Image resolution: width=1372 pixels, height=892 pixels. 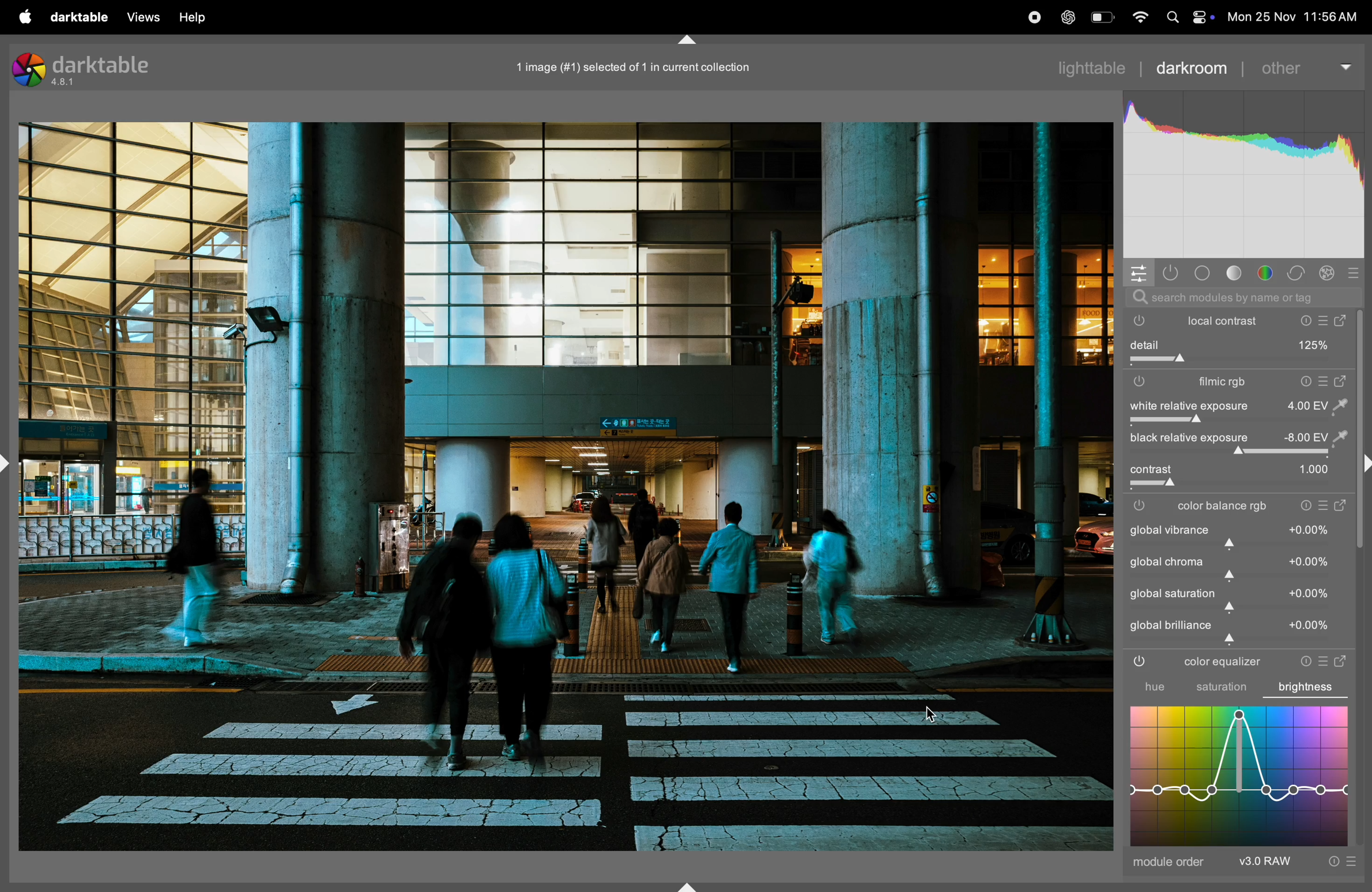 What do you see at coordinates (1139, 272) in the screenshot?
I see `quick panel` at bounding box center [1139, 272].